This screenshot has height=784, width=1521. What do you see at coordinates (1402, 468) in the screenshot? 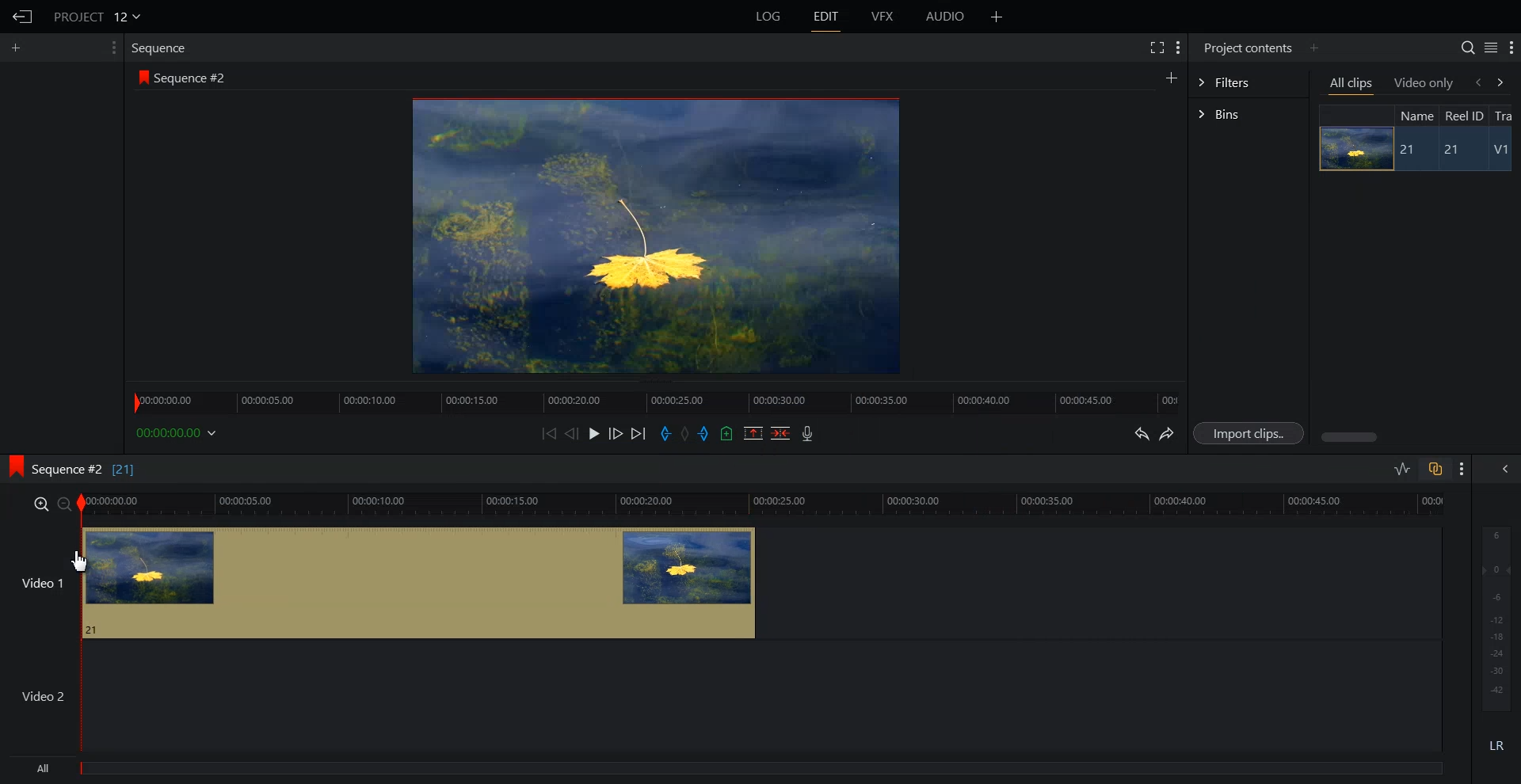
I see `Toggle audio level editing` at bounding box center [1402, 468].